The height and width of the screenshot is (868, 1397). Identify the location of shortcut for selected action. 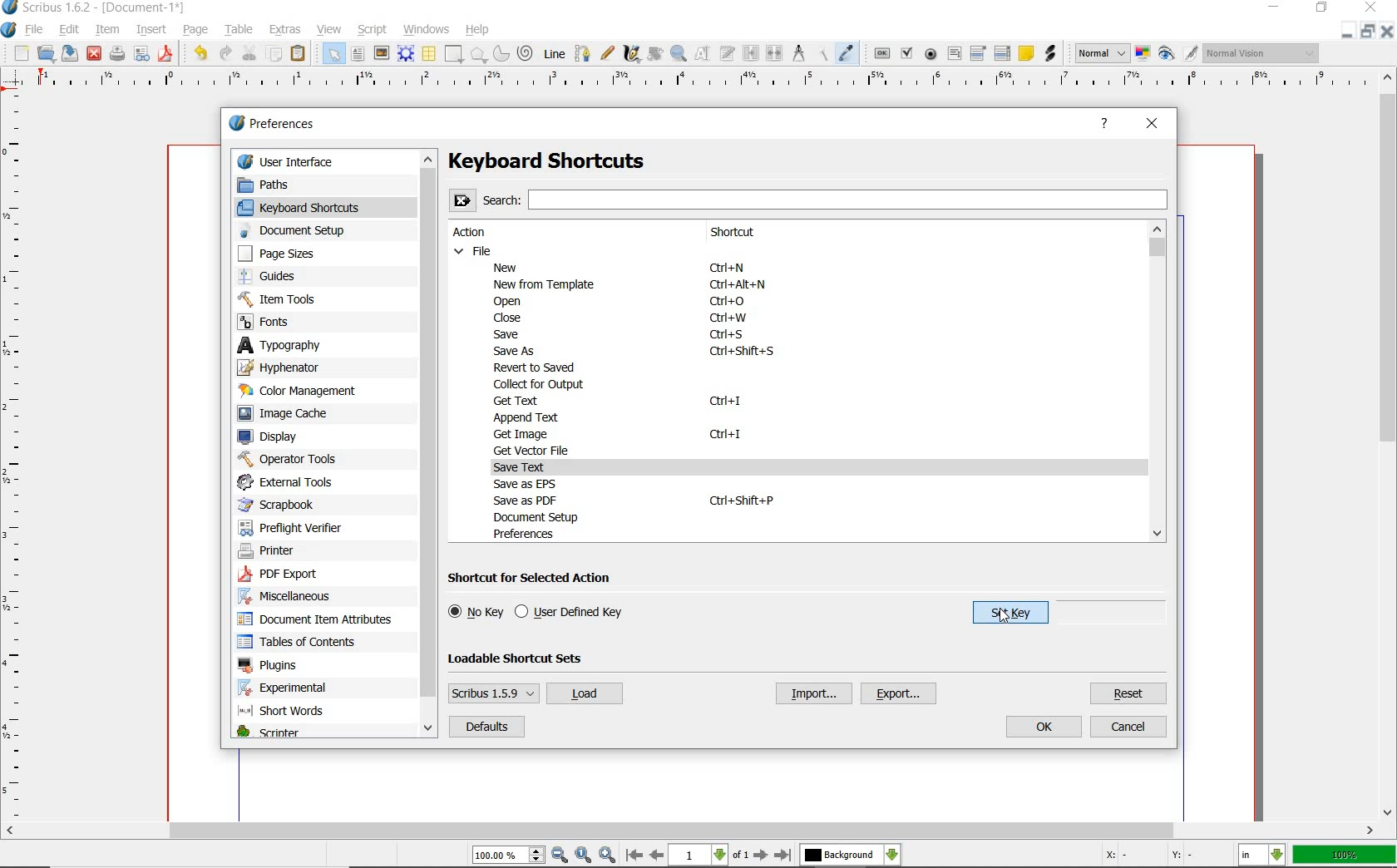
(536, 579).